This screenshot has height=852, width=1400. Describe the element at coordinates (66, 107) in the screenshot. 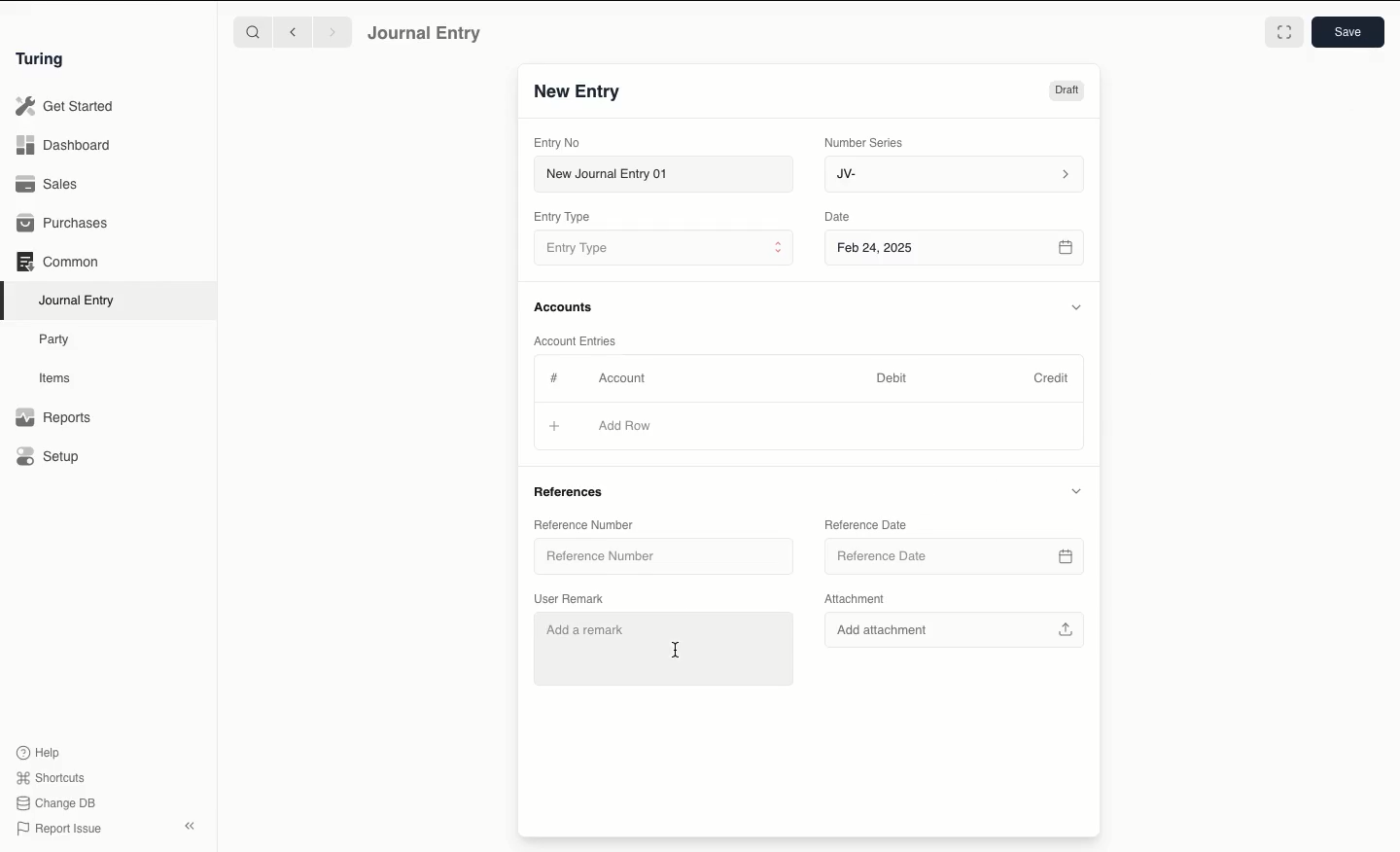

I see `Get Started` at that location.